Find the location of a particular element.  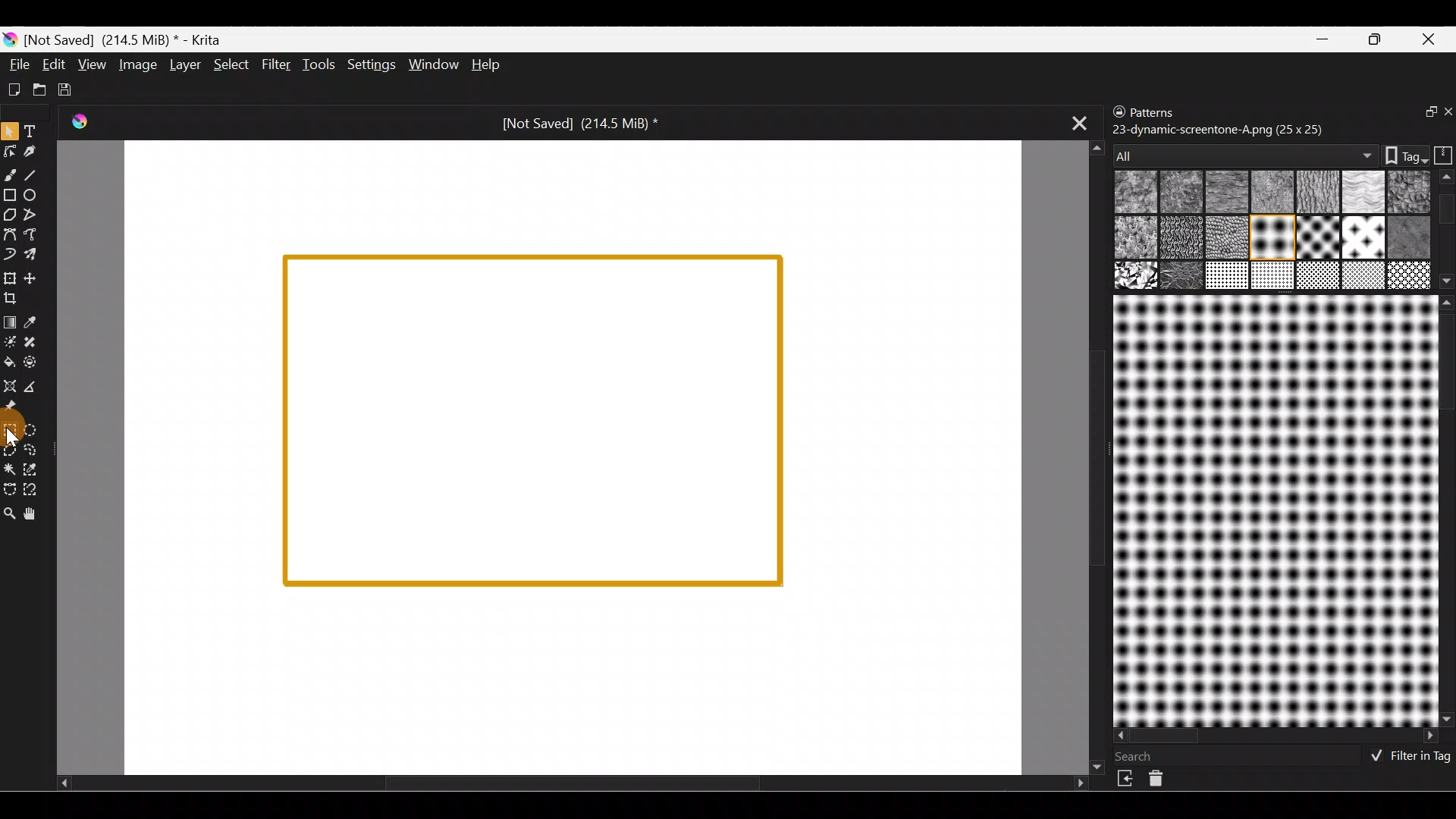

Polygon tool is located at coordinates (9, 212).